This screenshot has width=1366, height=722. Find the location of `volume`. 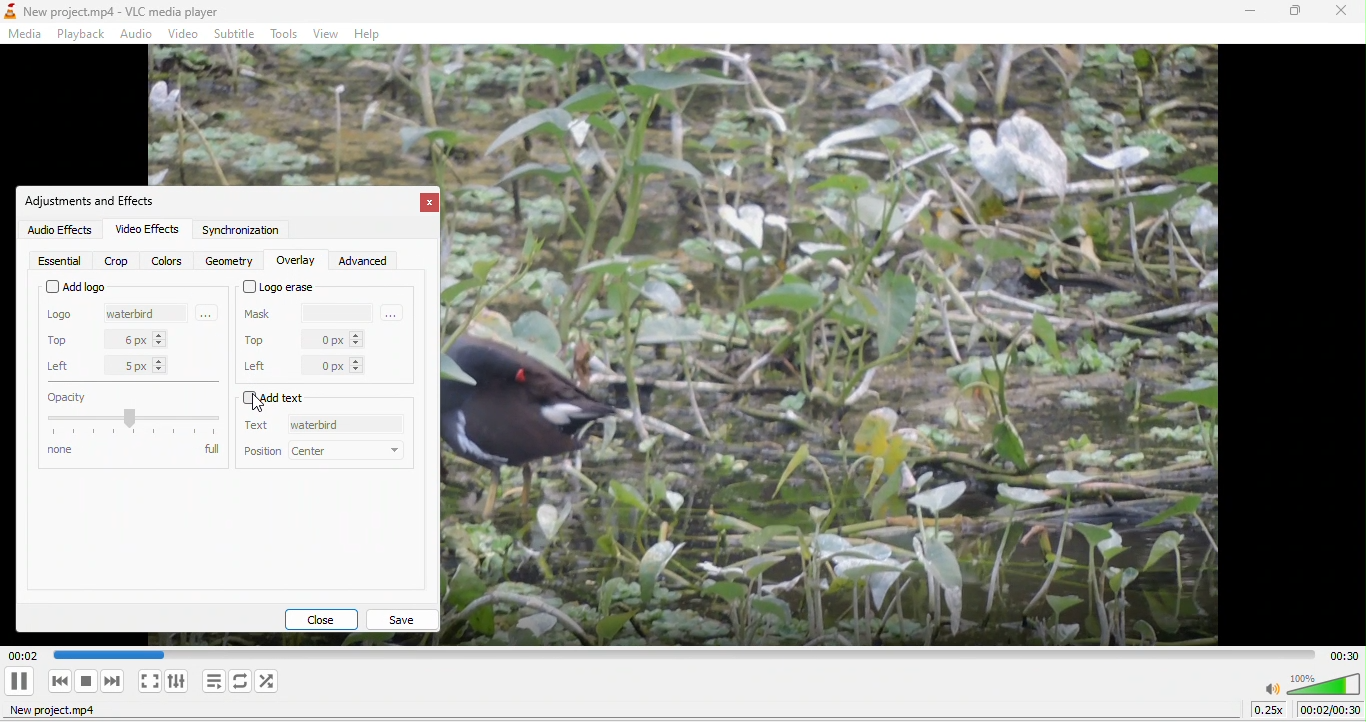

volume is located at coordinates (1312, 682).